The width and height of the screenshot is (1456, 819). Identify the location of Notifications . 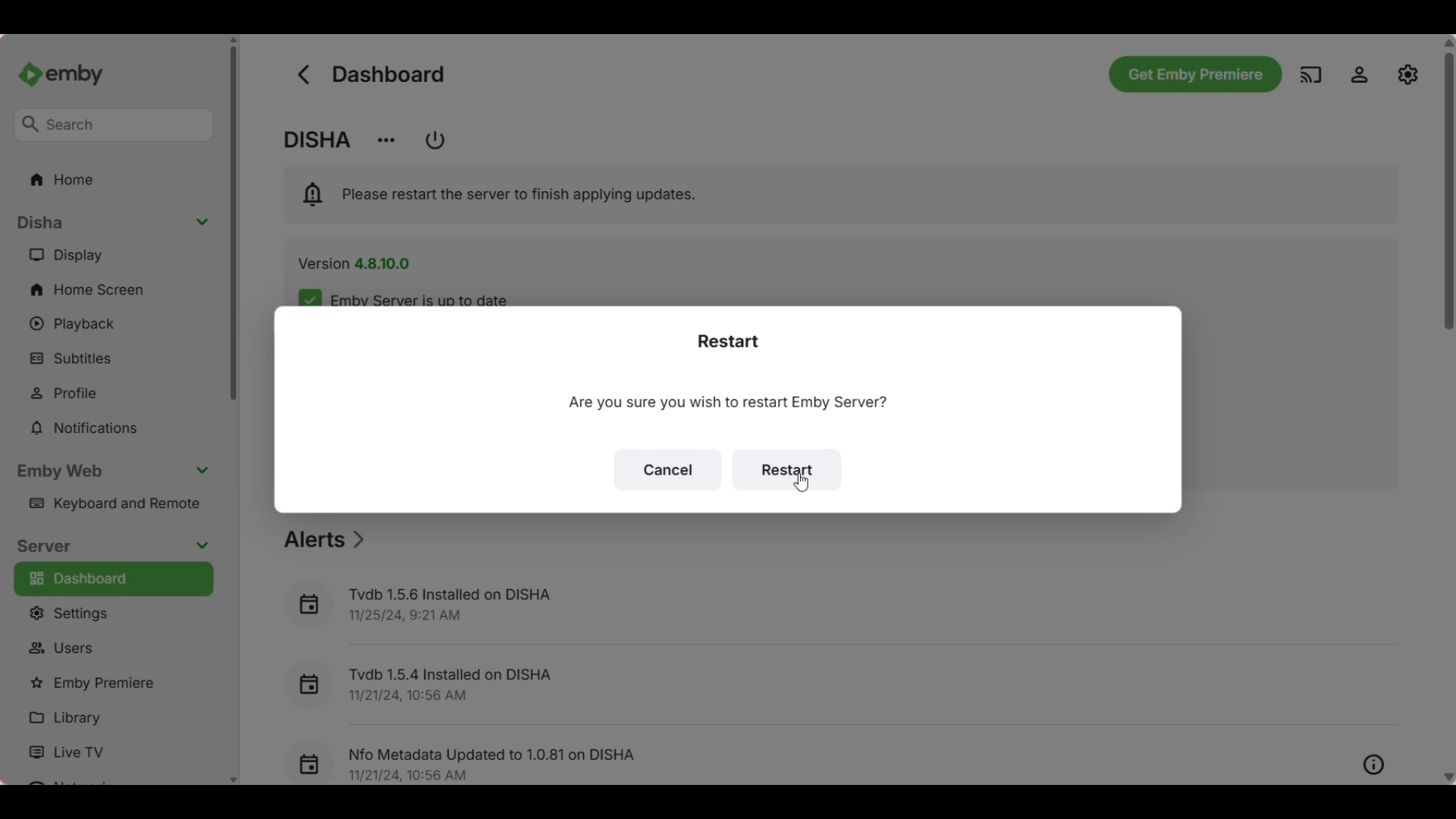
(113, 428).